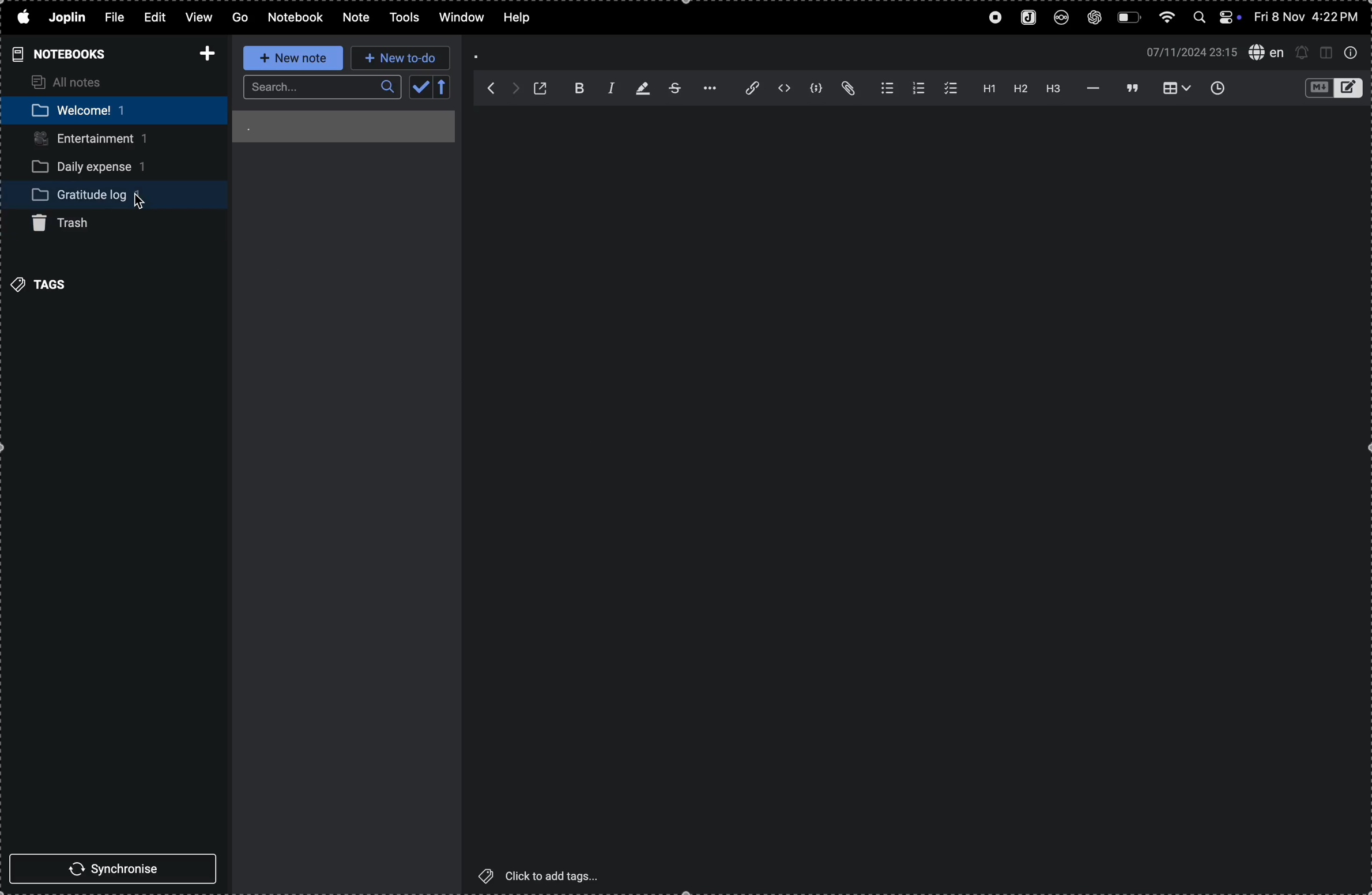 The height and width of the screenshot is (895, 1372). Describe the element at coordinates (1030, 17) in the screenshot. I see `joplin` at that location.